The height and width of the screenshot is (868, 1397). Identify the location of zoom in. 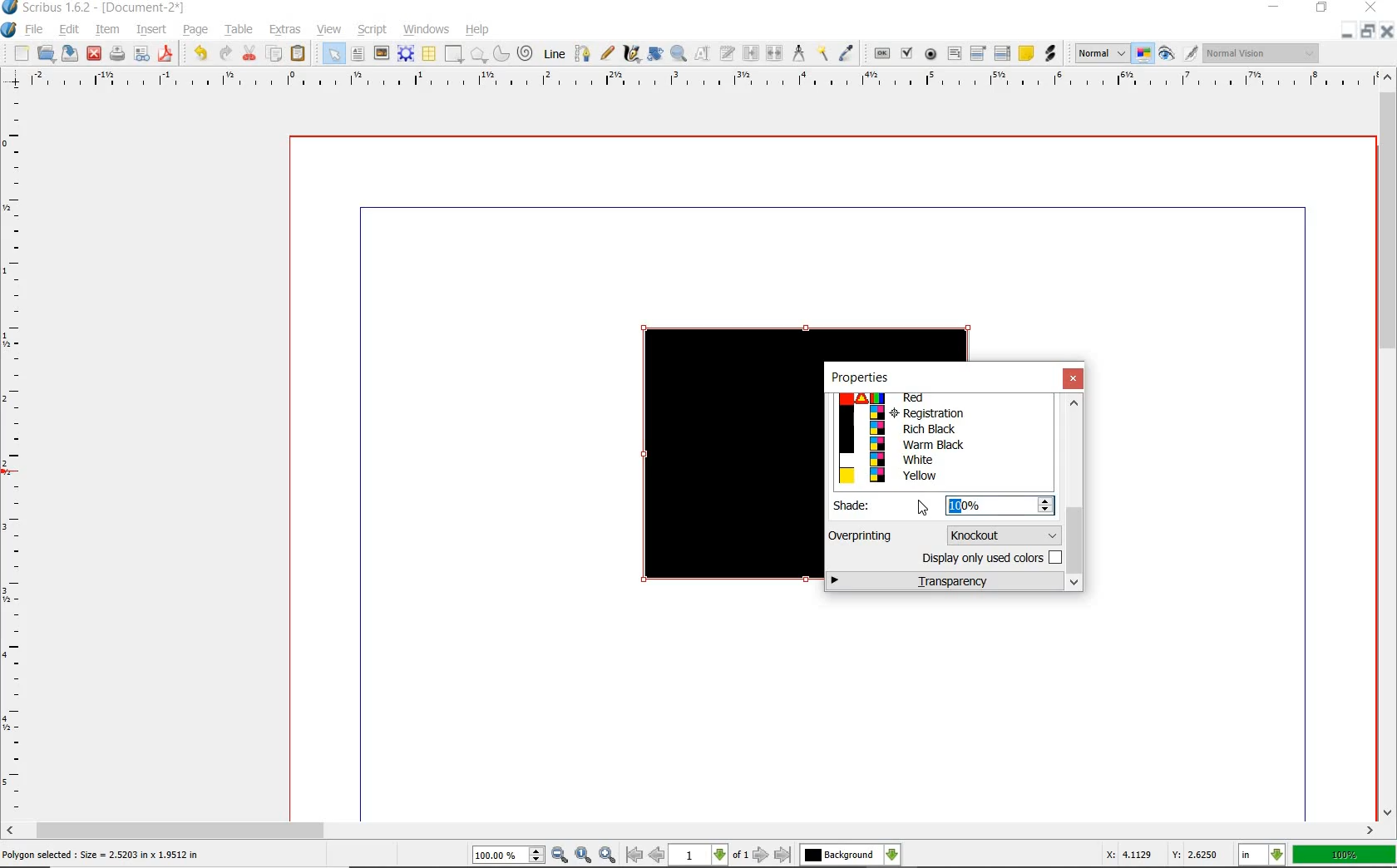
(607, 853).